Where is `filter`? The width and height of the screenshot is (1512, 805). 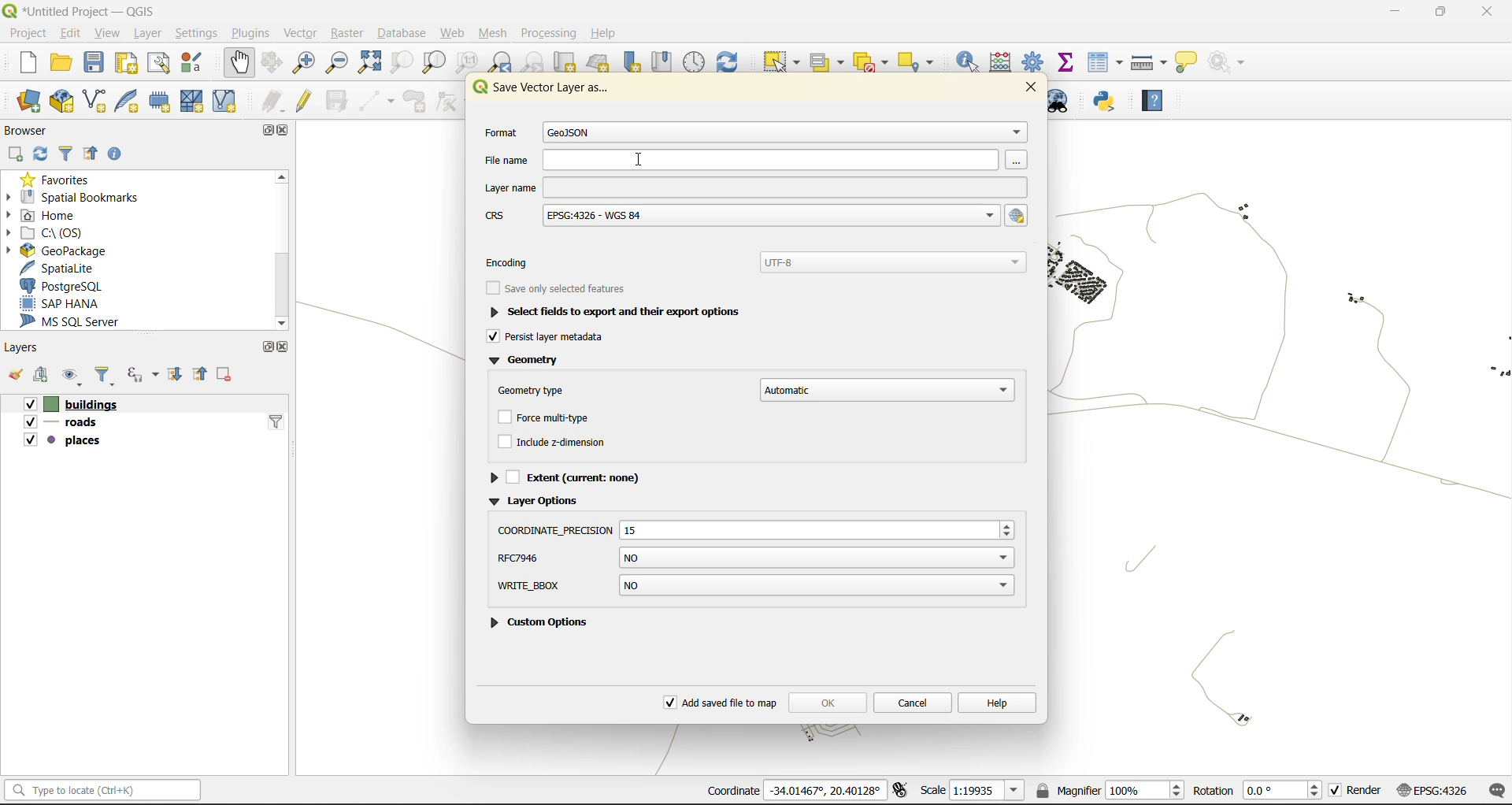 filter is located at coordinates (276, 421).